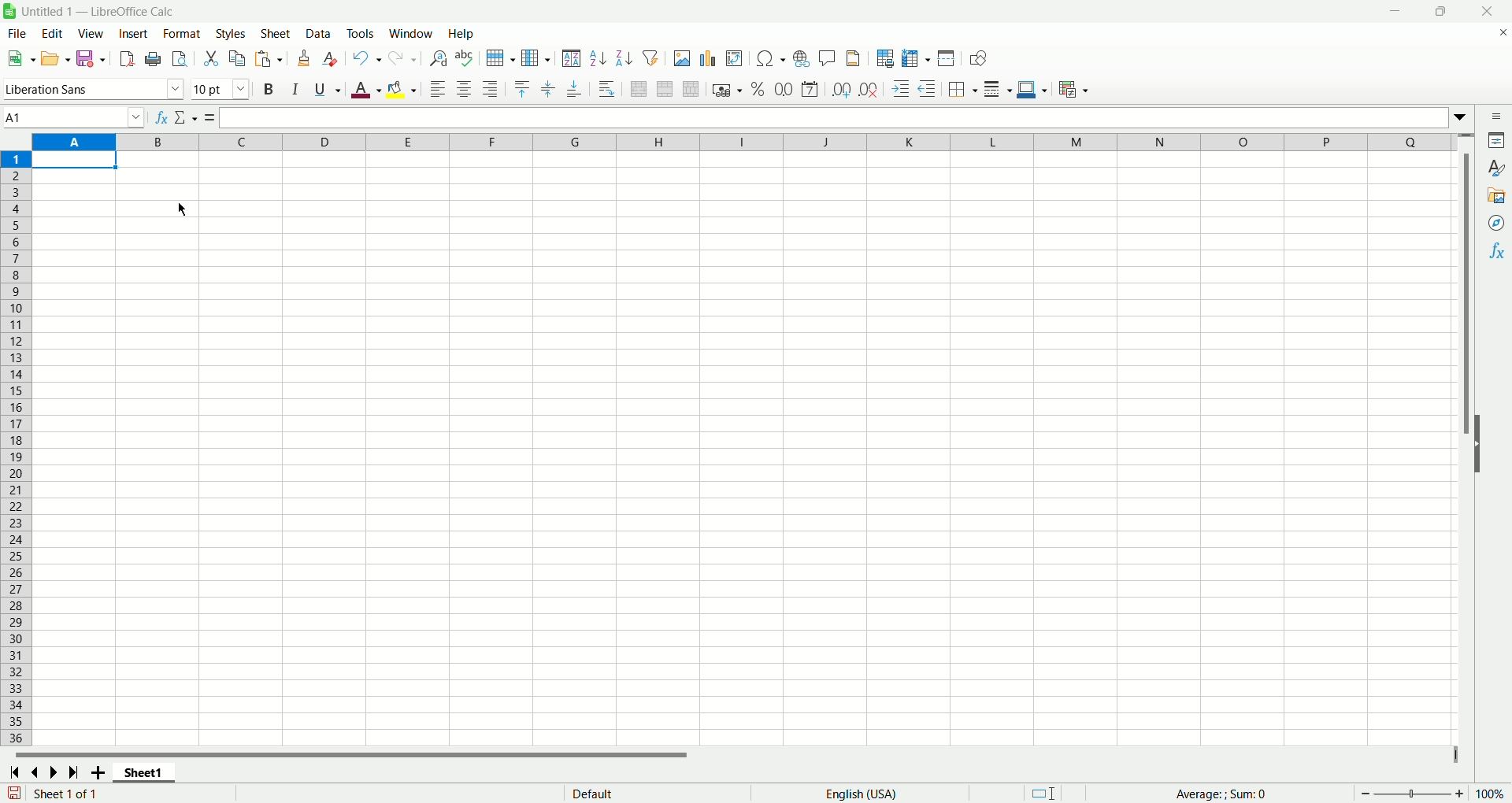  What do you see at coordinates (117, 794) in the screenshot?
I see `sheet number` at bounding box center [117, 794].